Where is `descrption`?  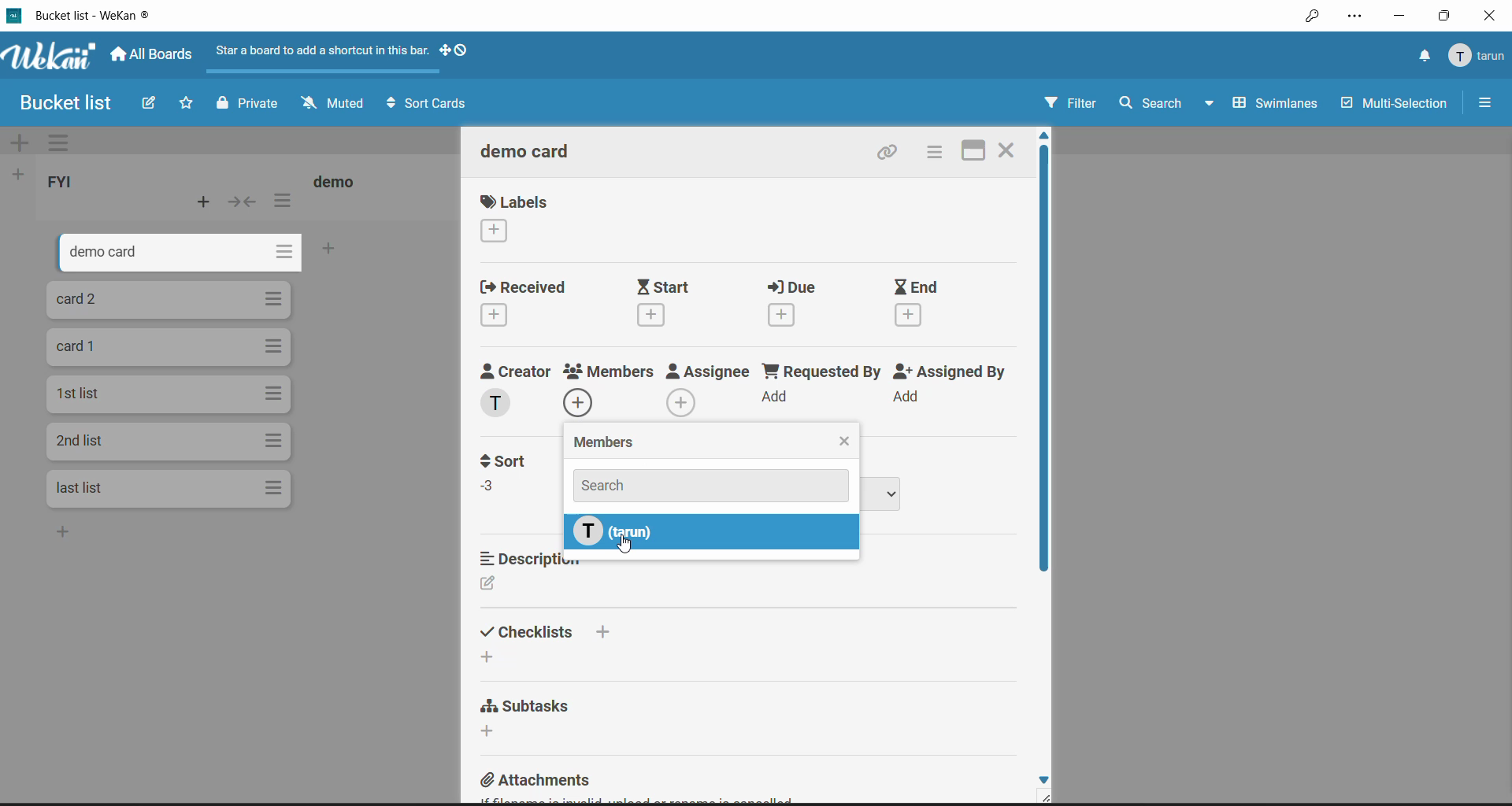 descrption is located at coordinates (542, 560).